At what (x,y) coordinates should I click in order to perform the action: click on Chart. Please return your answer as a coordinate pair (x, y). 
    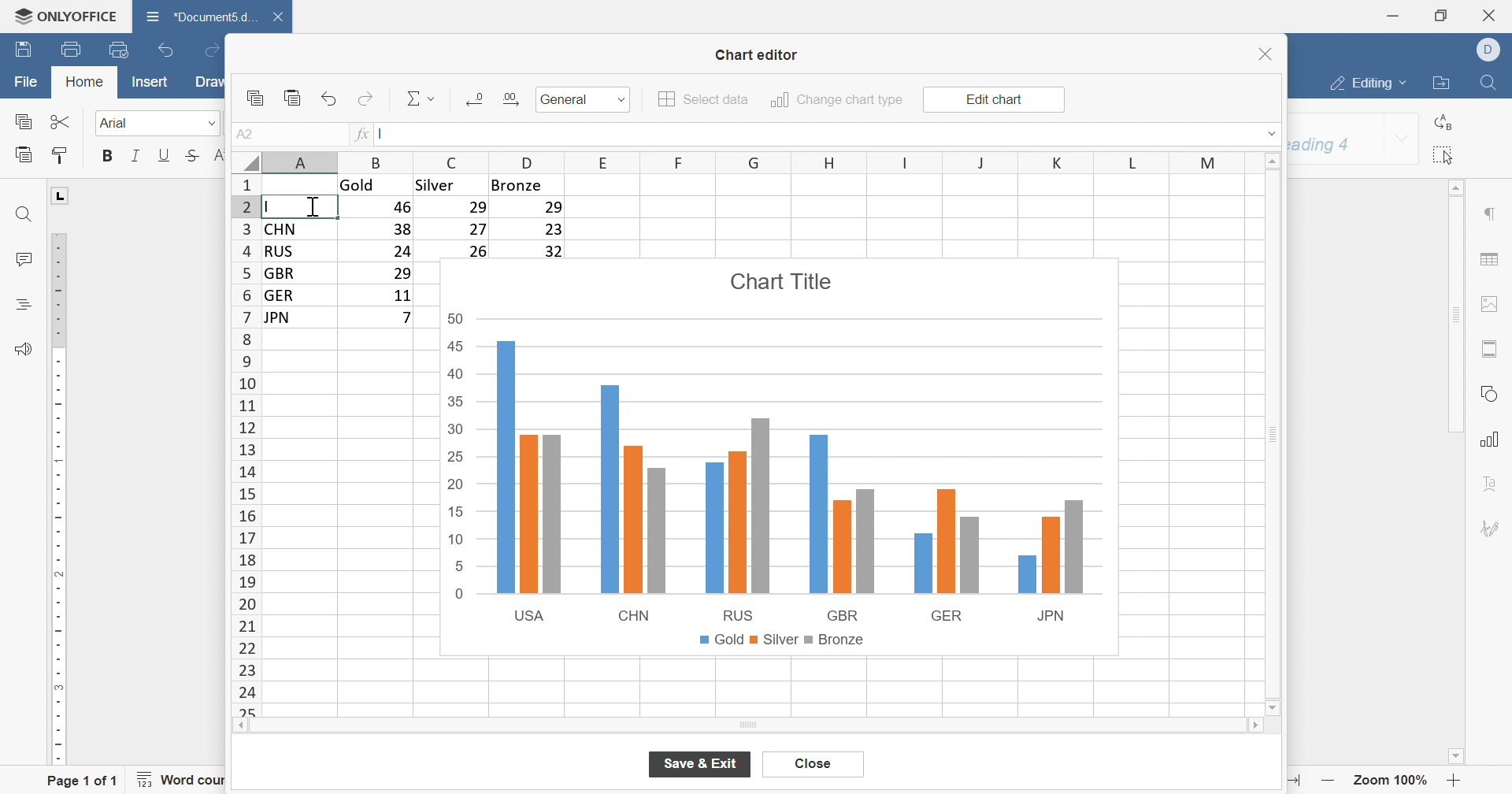
    Looking at the image, I should click on (782, 460).